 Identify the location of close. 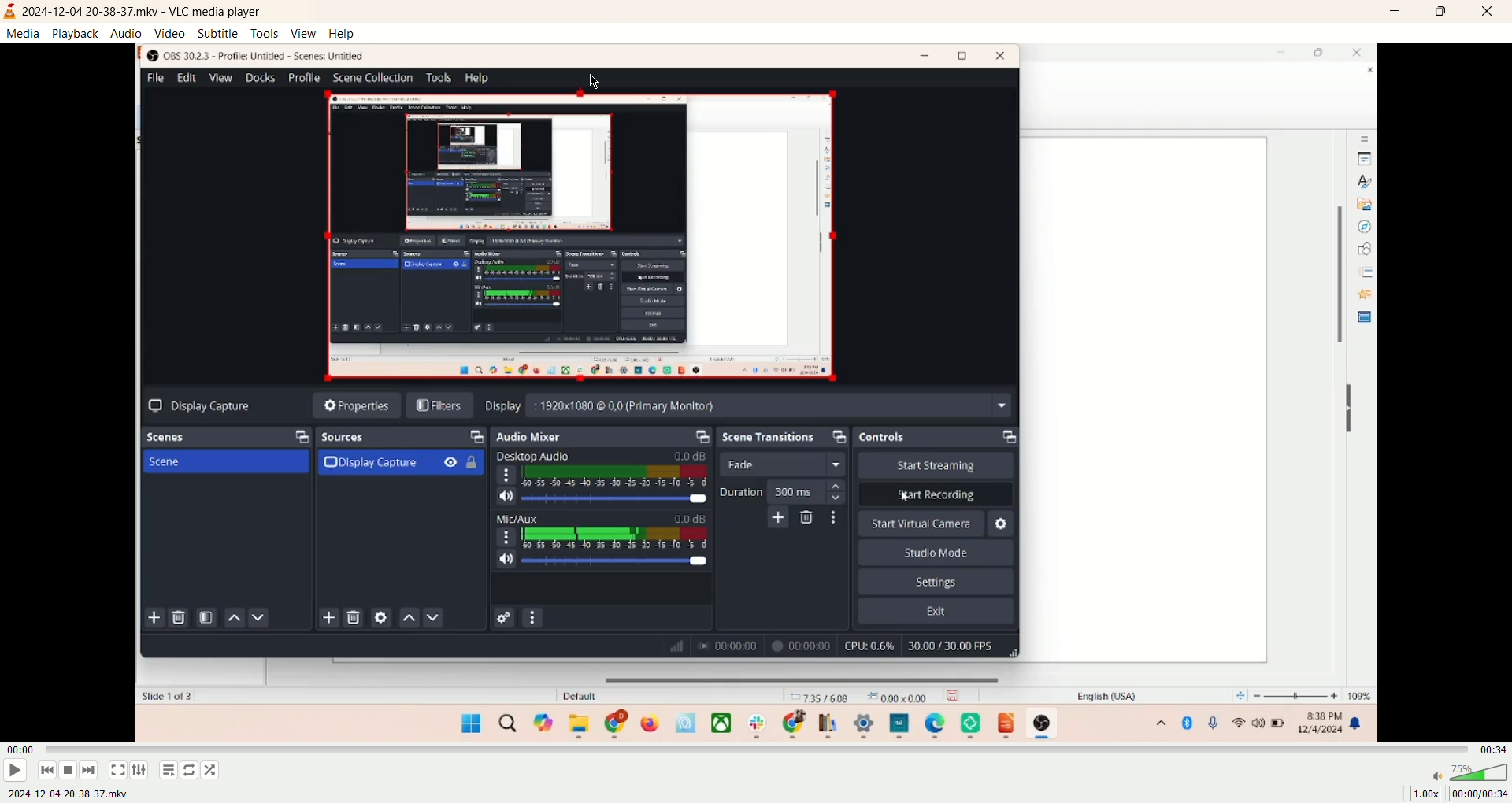
(1490, 11).